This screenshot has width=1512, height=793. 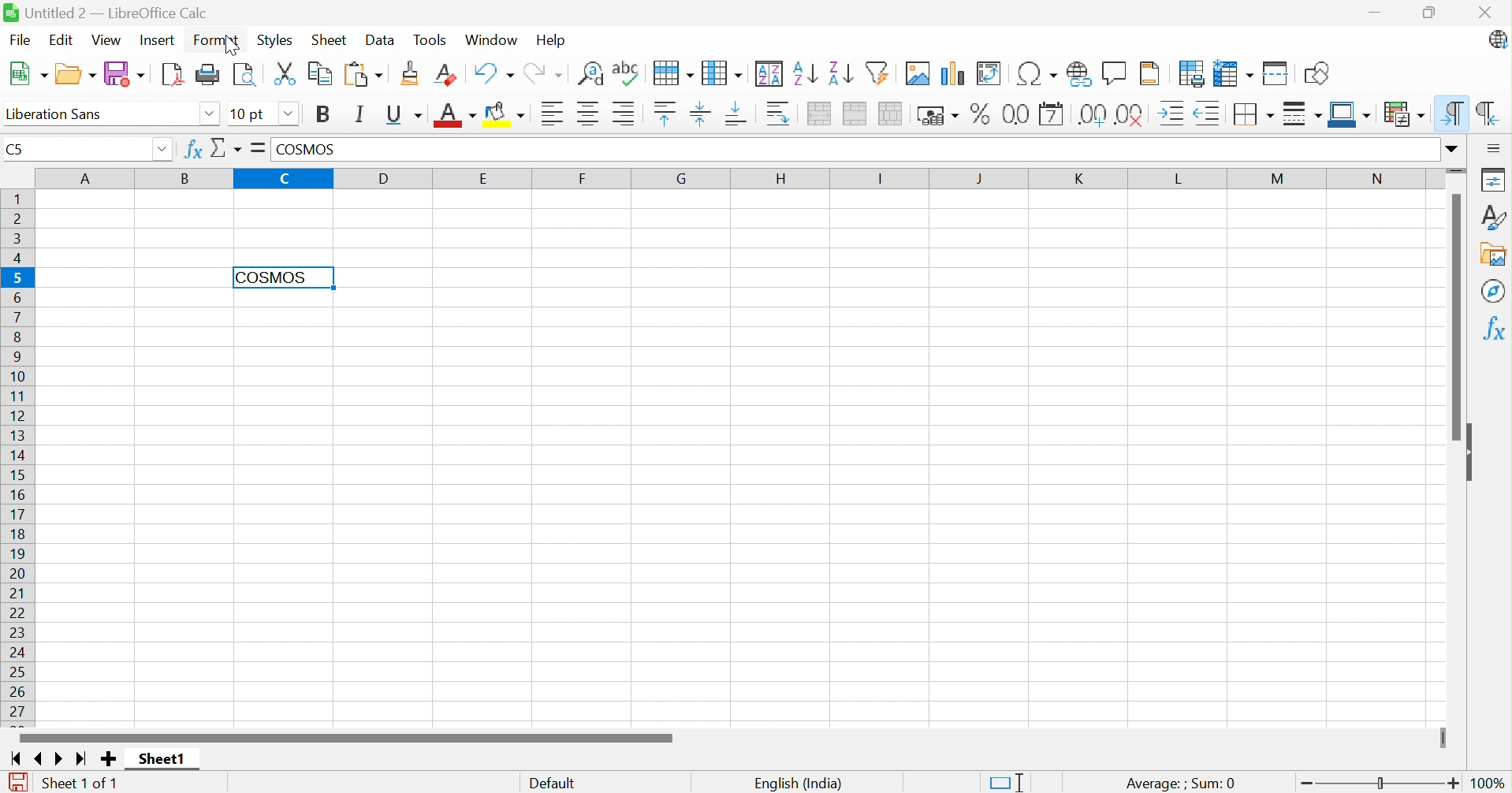 What do you see at coordinates (1182, 784) in the screenshot?
I see `Average: ;Sum: 0` at bounding box center [1182, 784].